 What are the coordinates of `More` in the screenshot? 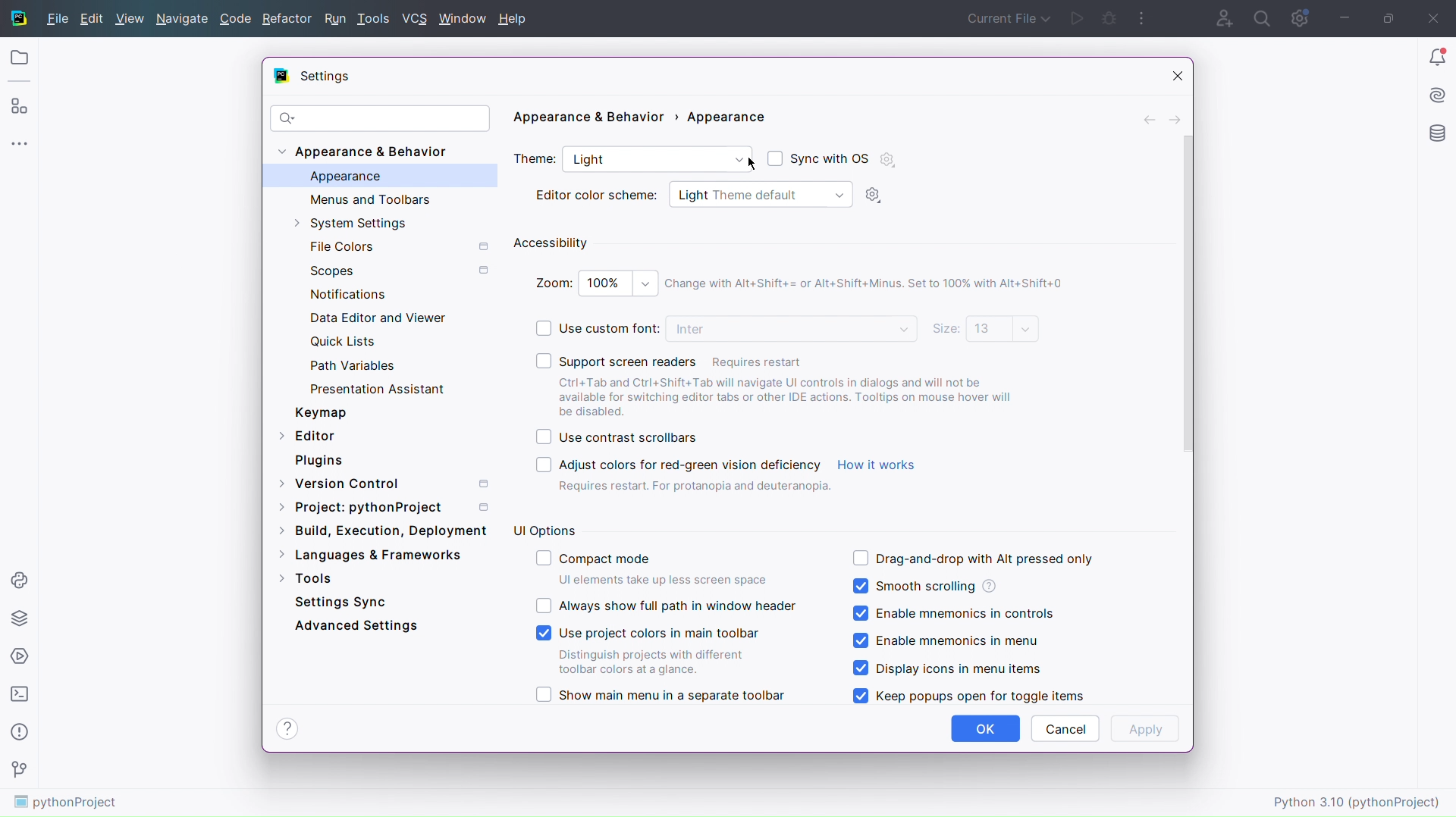 It's located at (1143, 17).